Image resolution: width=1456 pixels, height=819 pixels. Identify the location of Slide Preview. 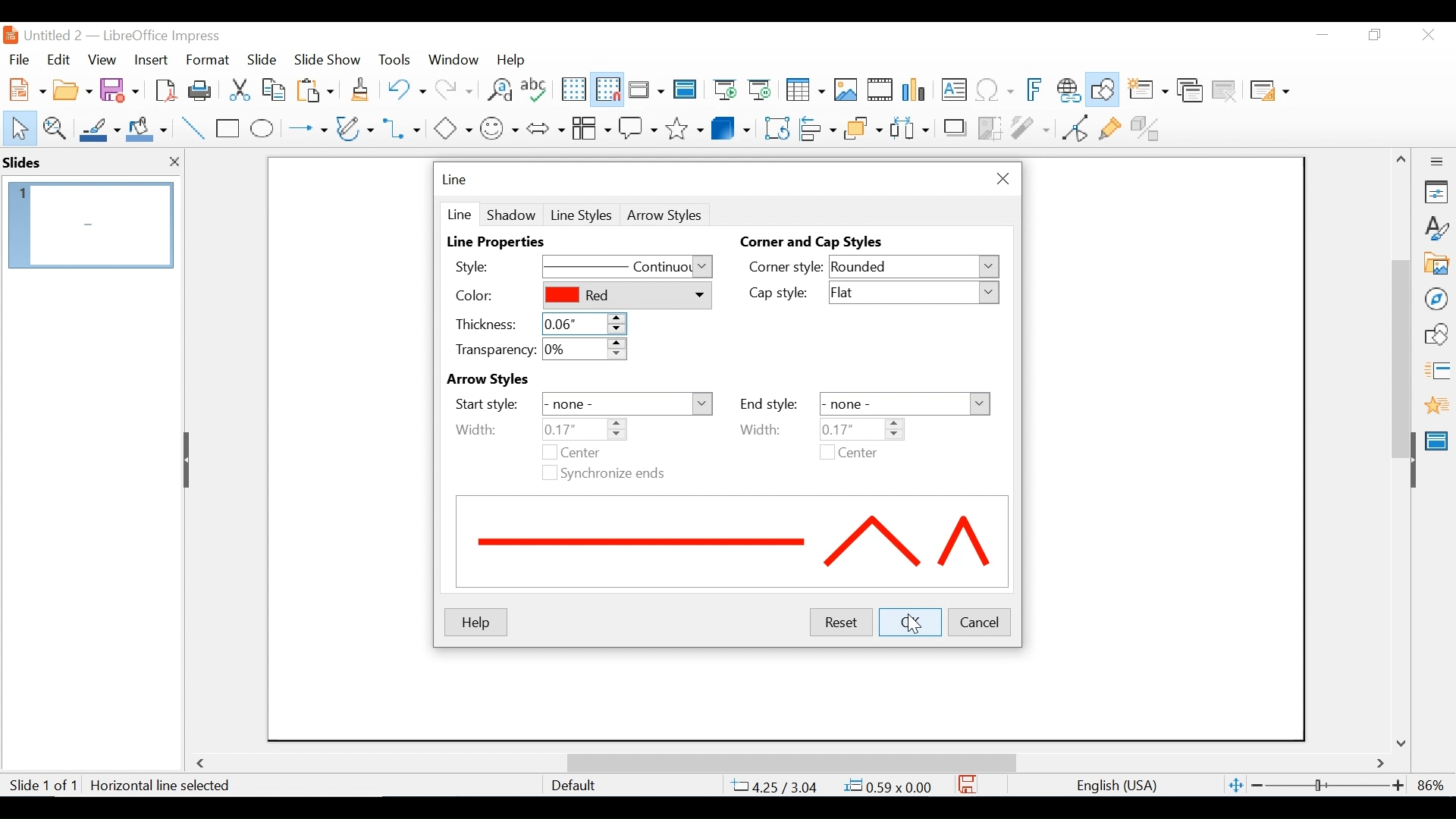
(89, 224).